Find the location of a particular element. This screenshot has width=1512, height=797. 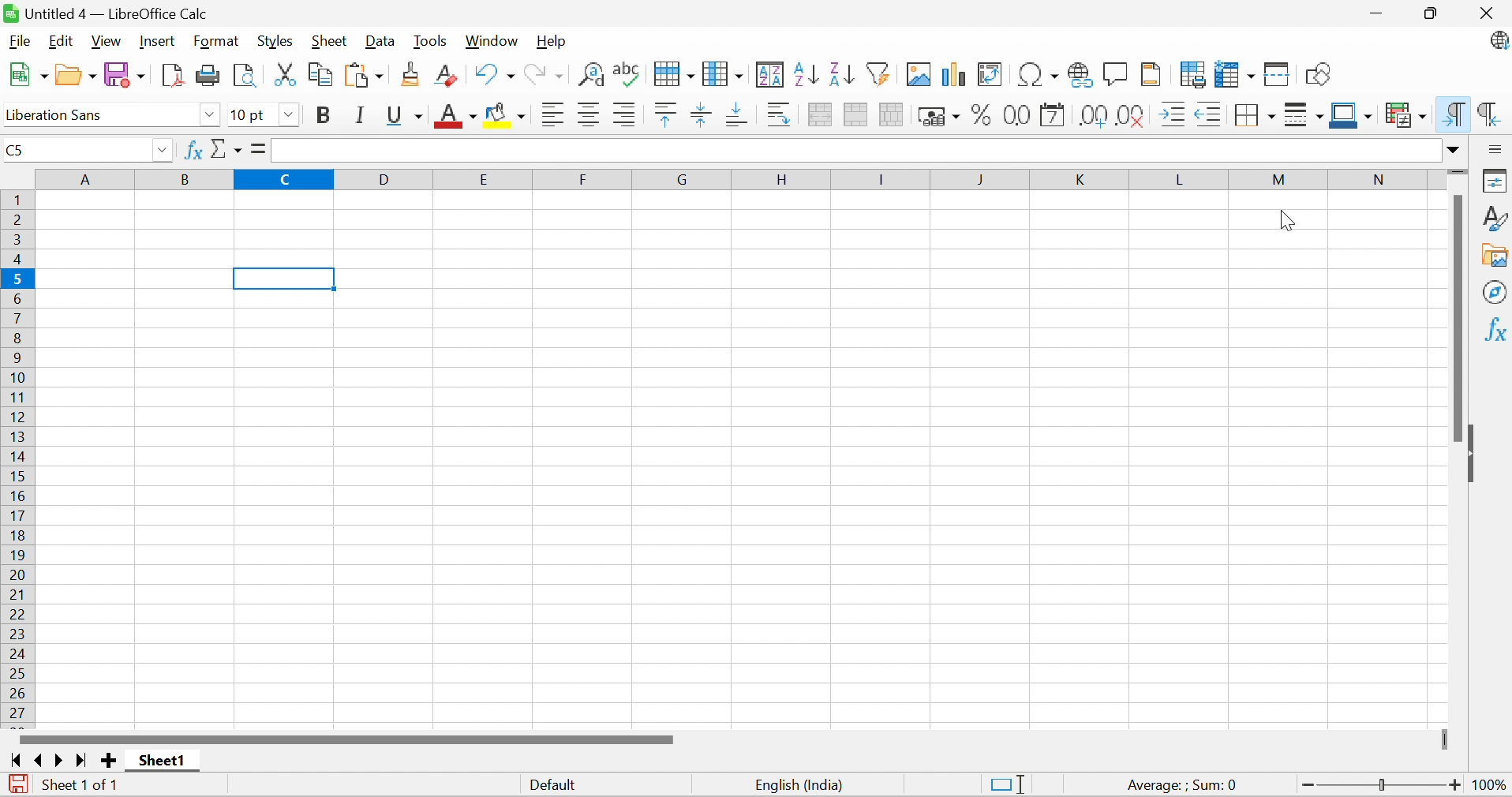

Align top is located at coordinates (666, 115).